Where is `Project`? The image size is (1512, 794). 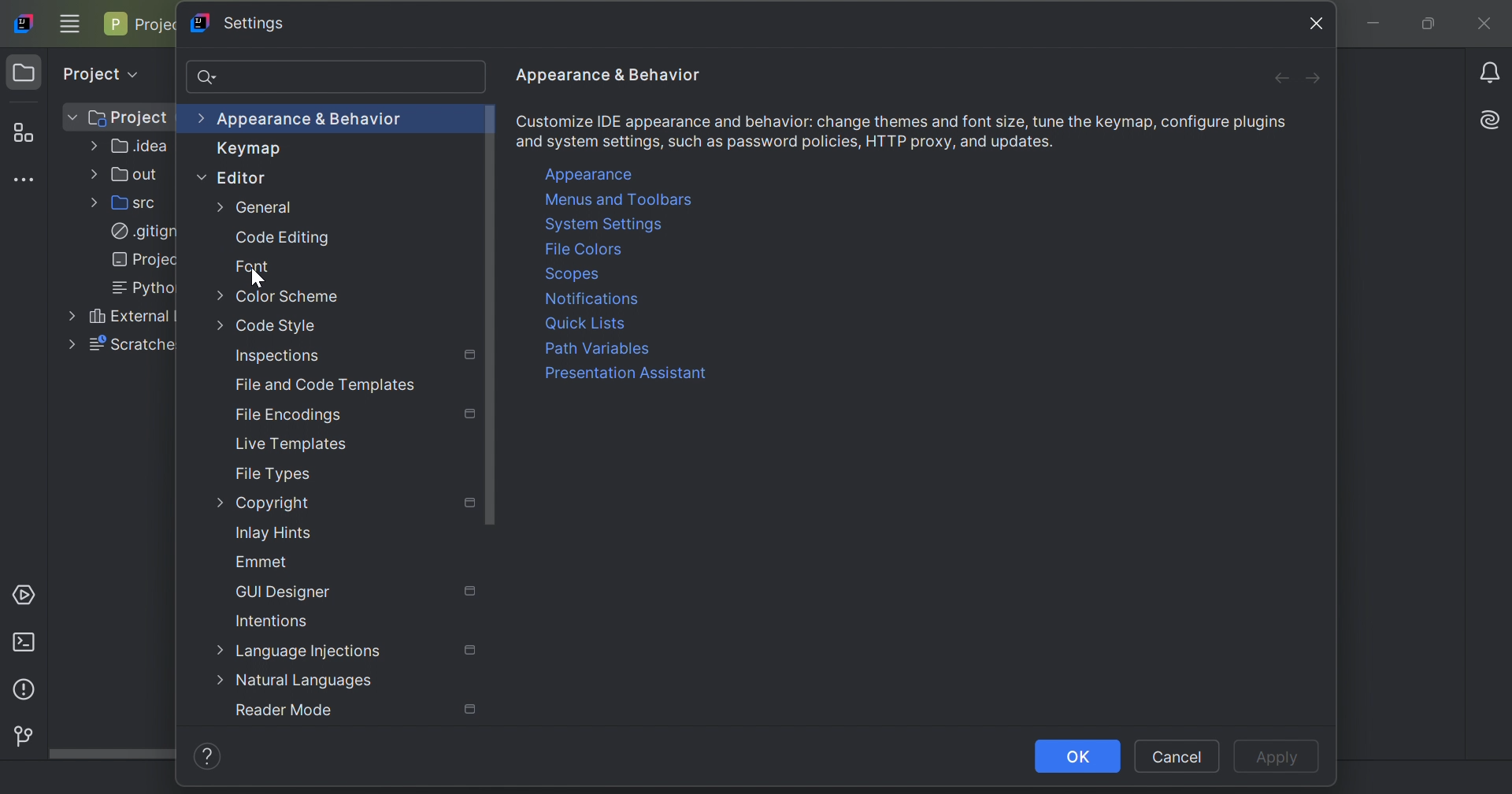
Project is located at coordinates (117, 118).